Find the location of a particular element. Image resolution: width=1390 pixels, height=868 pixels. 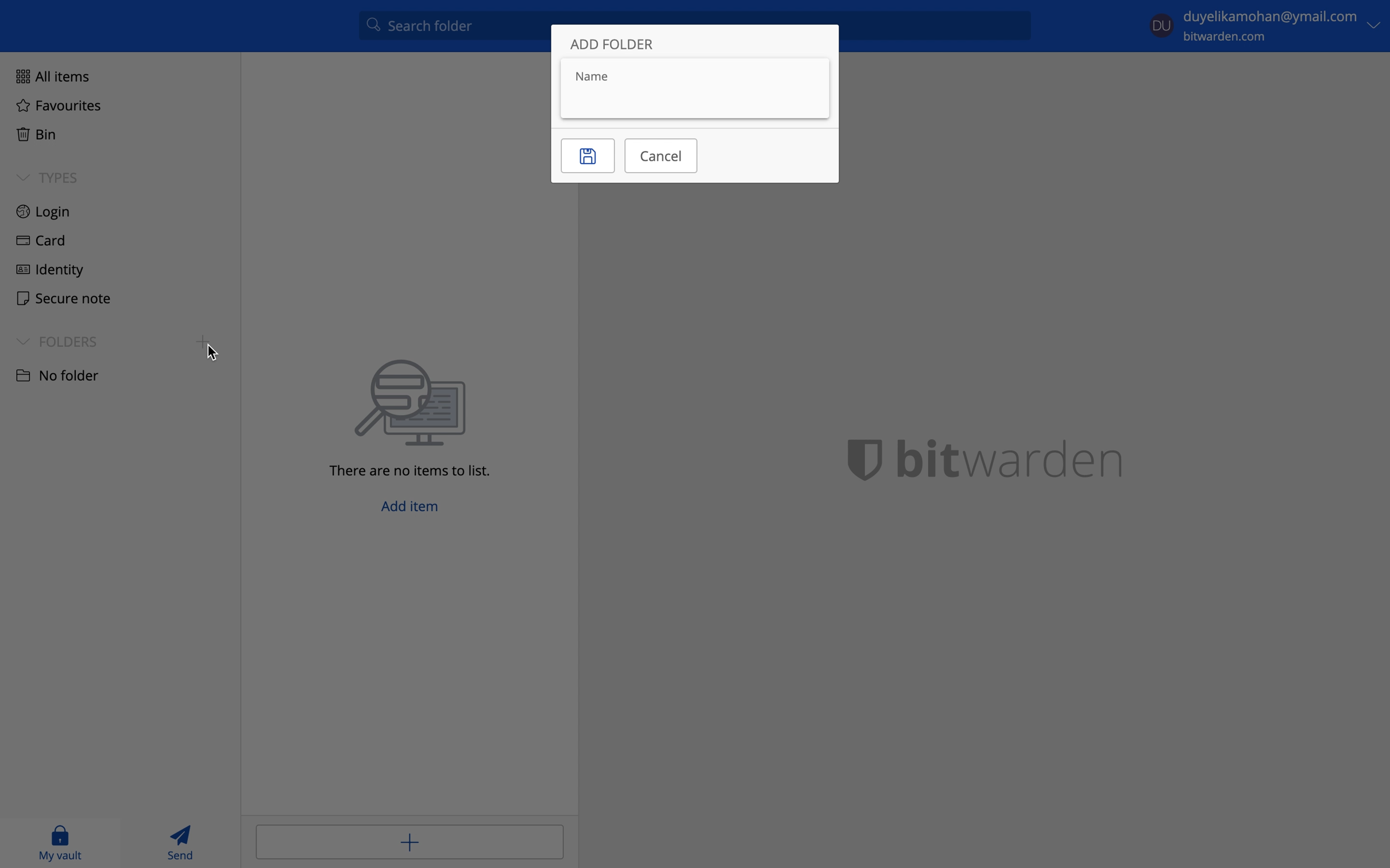

all items is located at coordinates (49, 75).